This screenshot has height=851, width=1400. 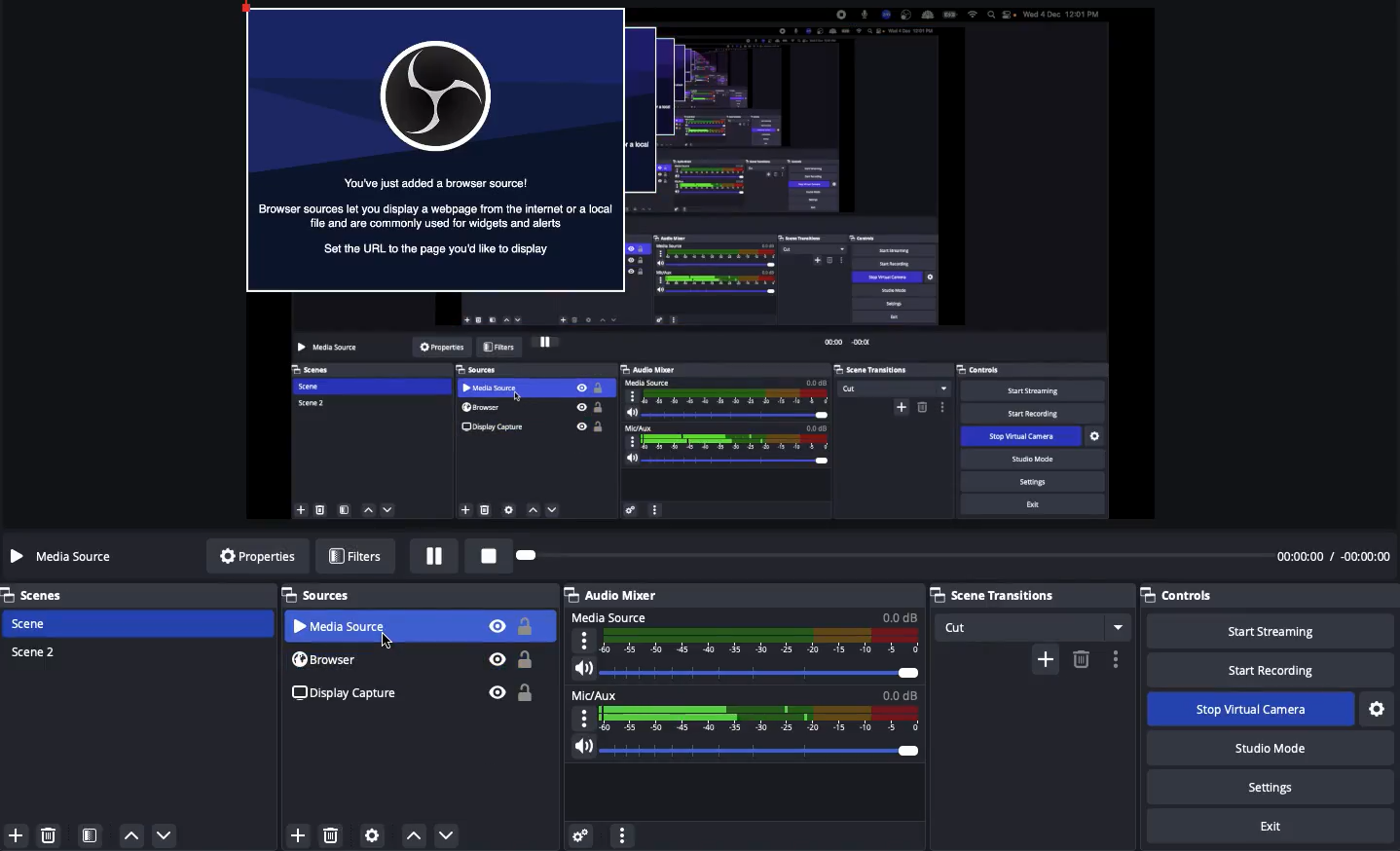 What do you see at coordinates (1271, 669) in the screenshot?
I see `Start recording` at bounding box center [1271, 669].